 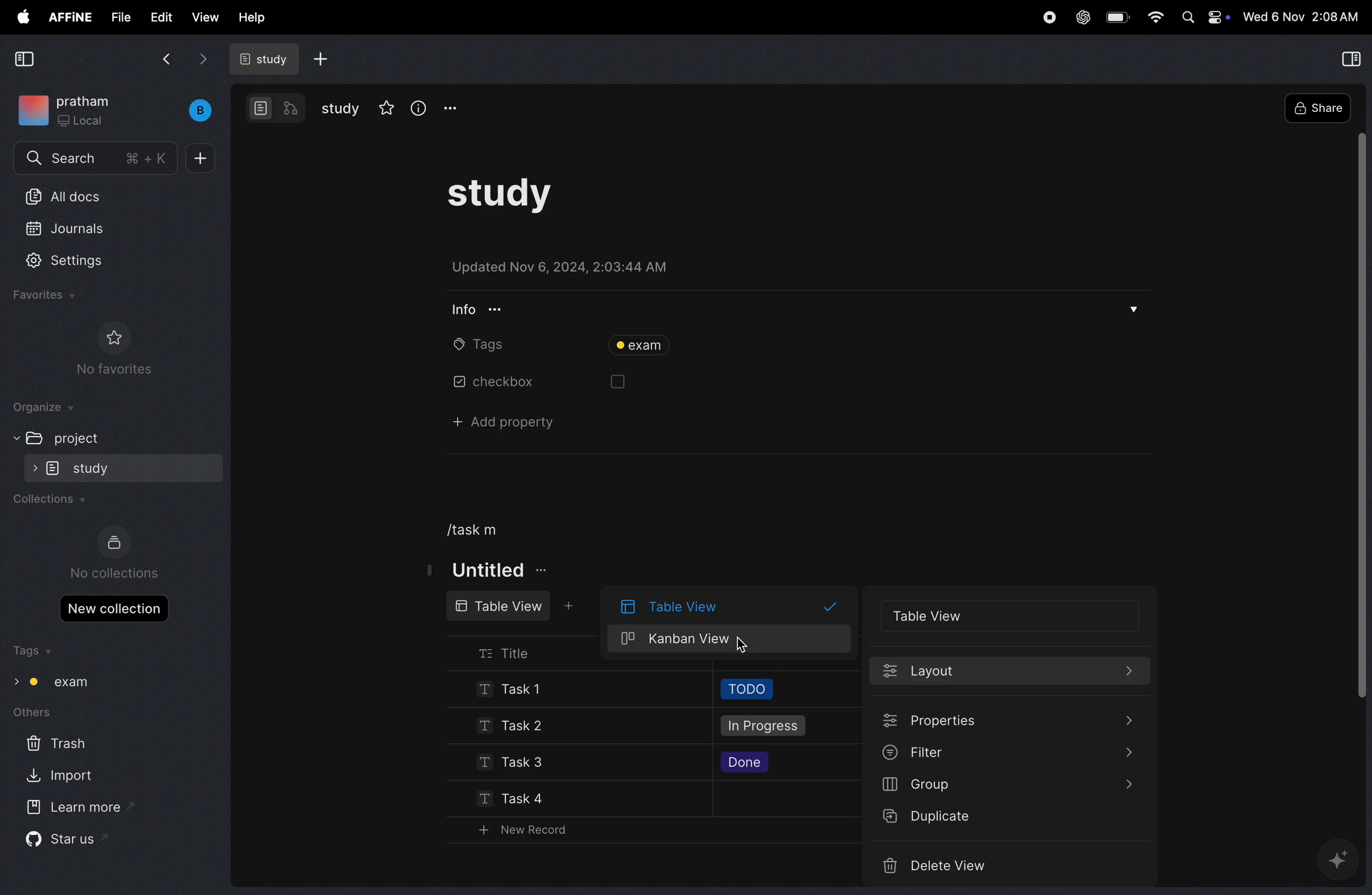 I want to click on updated on, so click(x=589, y=266).